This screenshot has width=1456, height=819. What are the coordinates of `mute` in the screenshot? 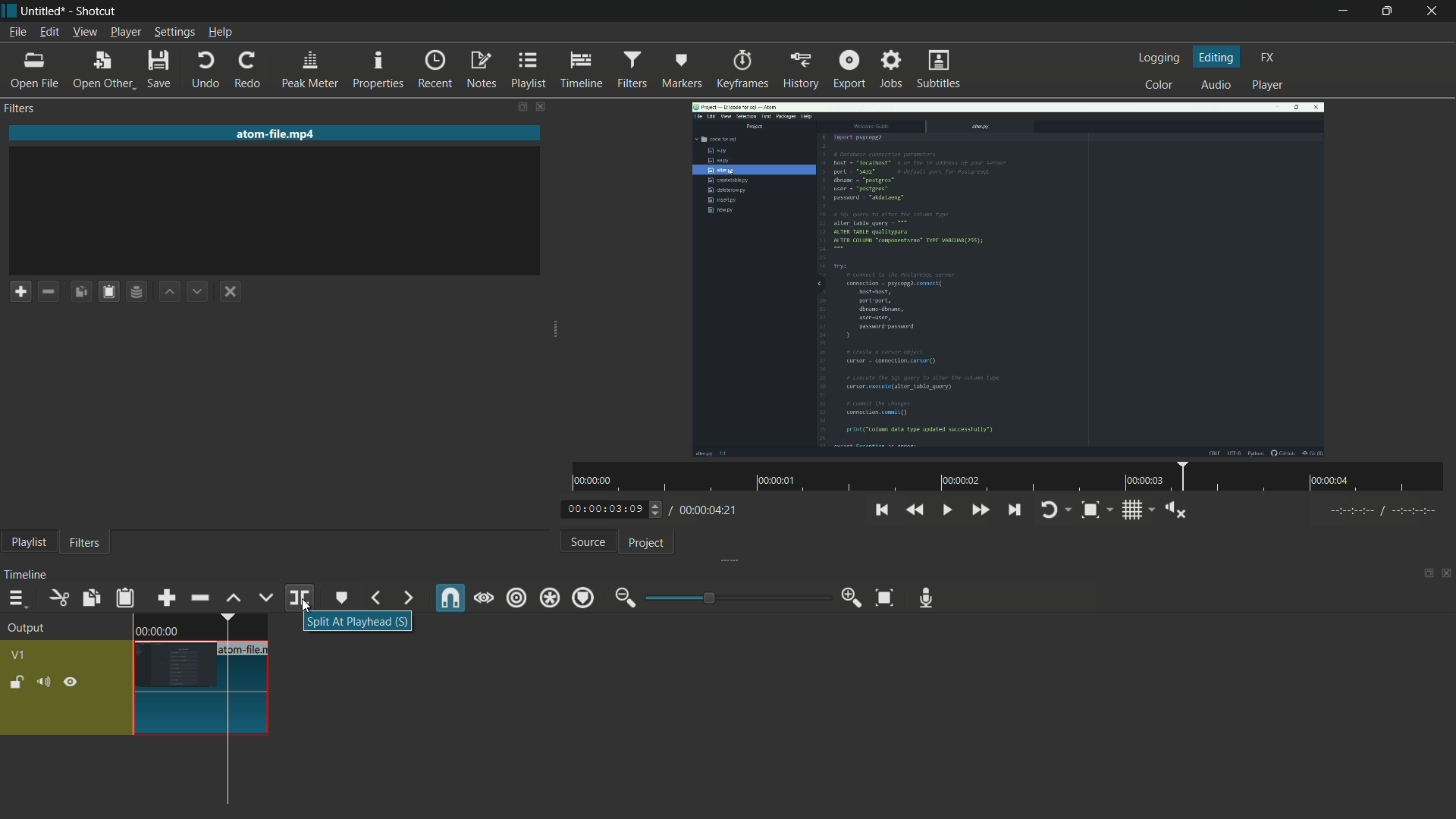 It's located at (43, 682).